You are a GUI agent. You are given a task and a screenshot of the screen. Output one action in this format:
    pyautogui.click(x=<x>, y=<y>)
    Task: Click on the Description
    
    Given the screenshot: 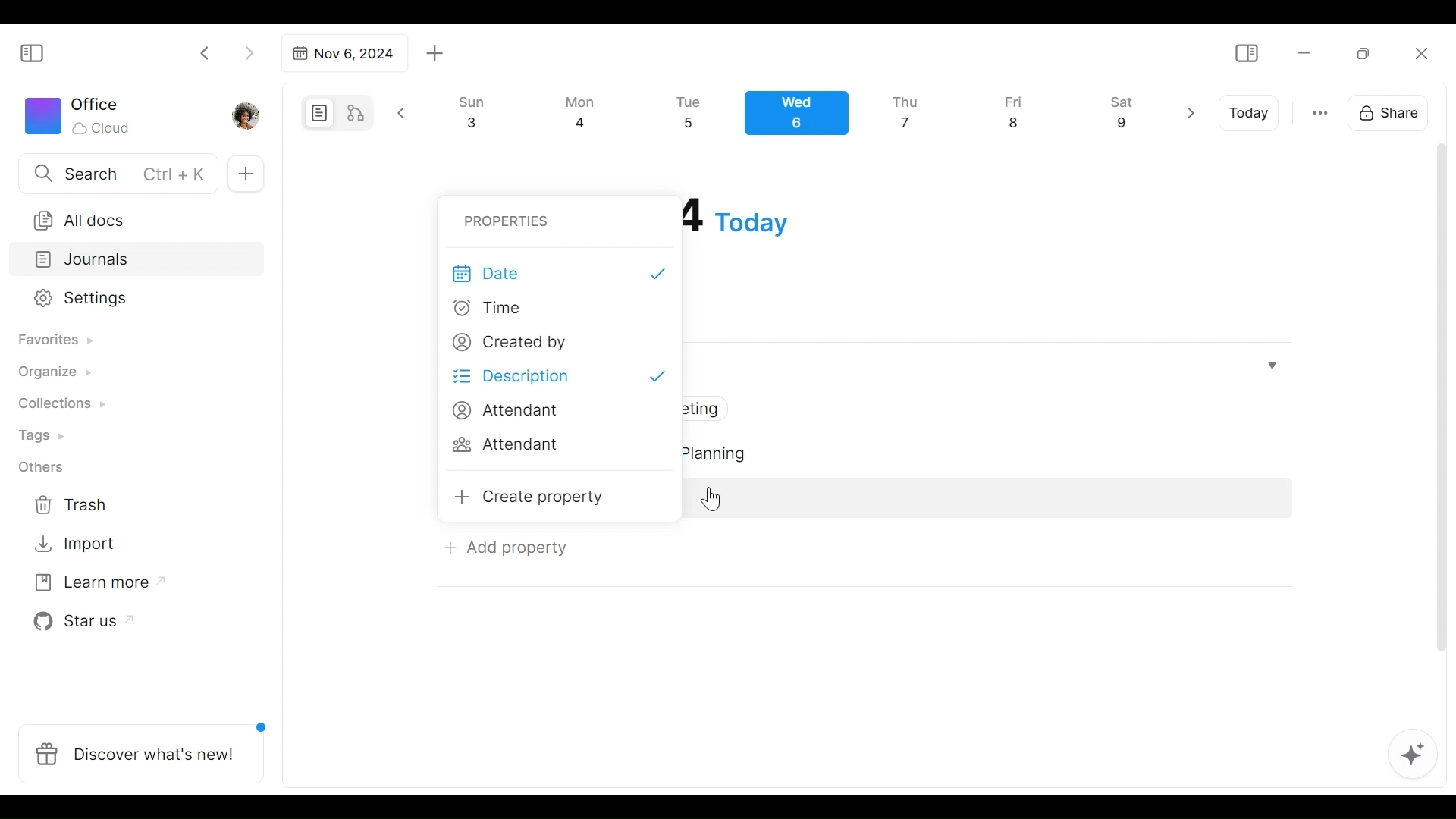 What is the action you would take?
    pyautogui.click(x=560, y=374)
    